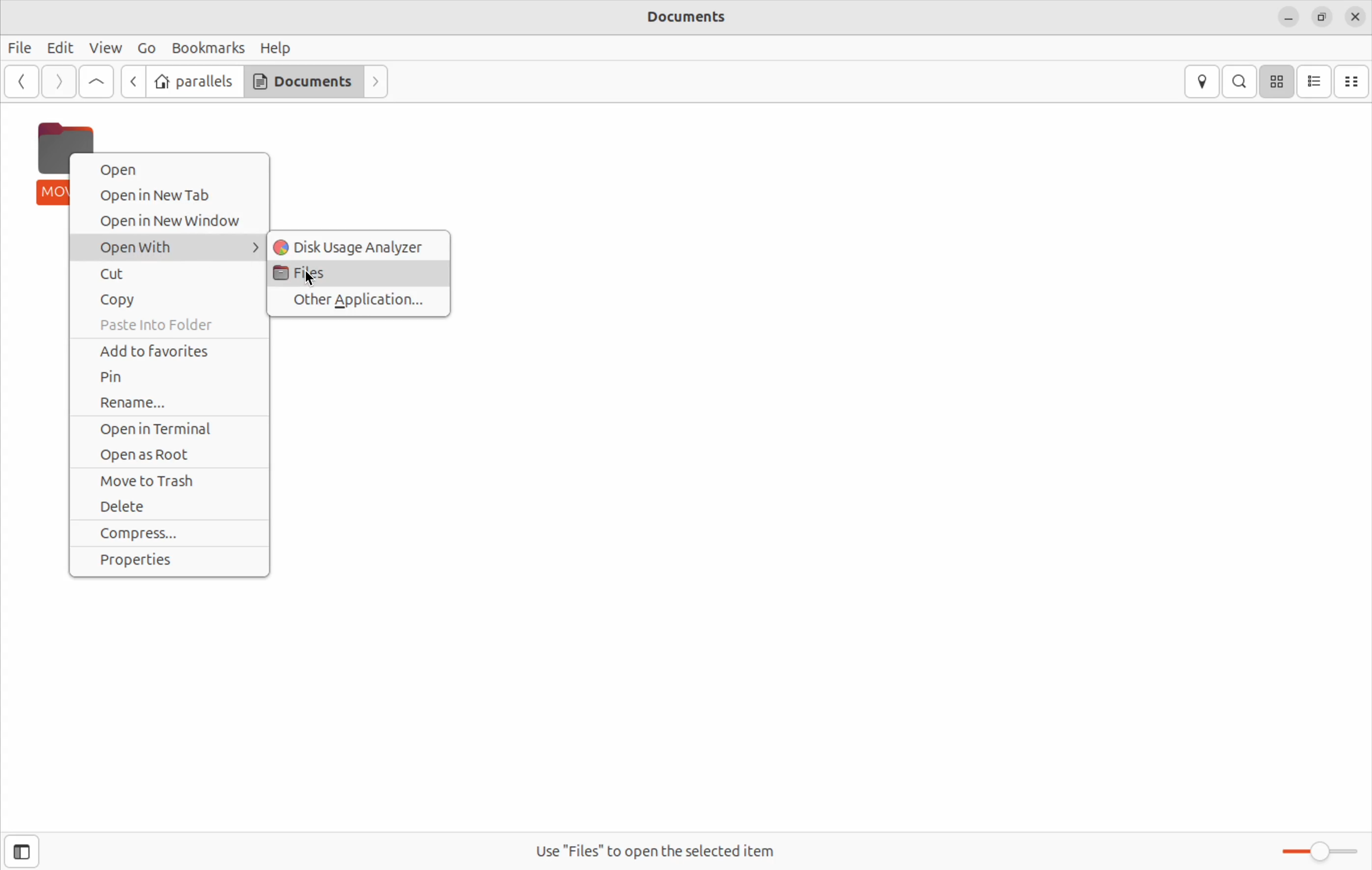 This screenshot has height=870, width=1372. What do you see at coordinates (1277, 81) in the screenshot?
I see `icon view` at bounding box center [1277, 81].